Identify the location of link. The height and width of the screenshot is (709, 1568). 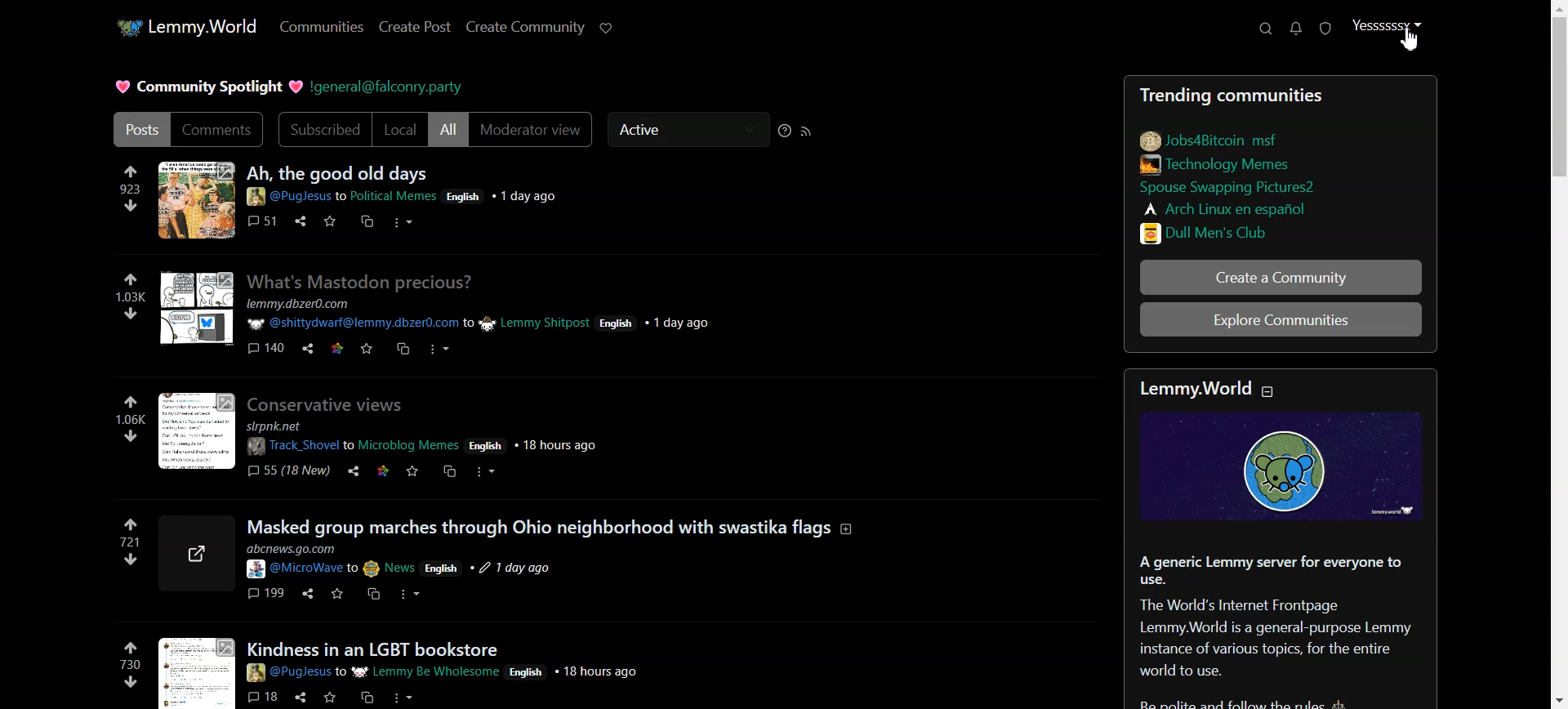
(1222, 207).